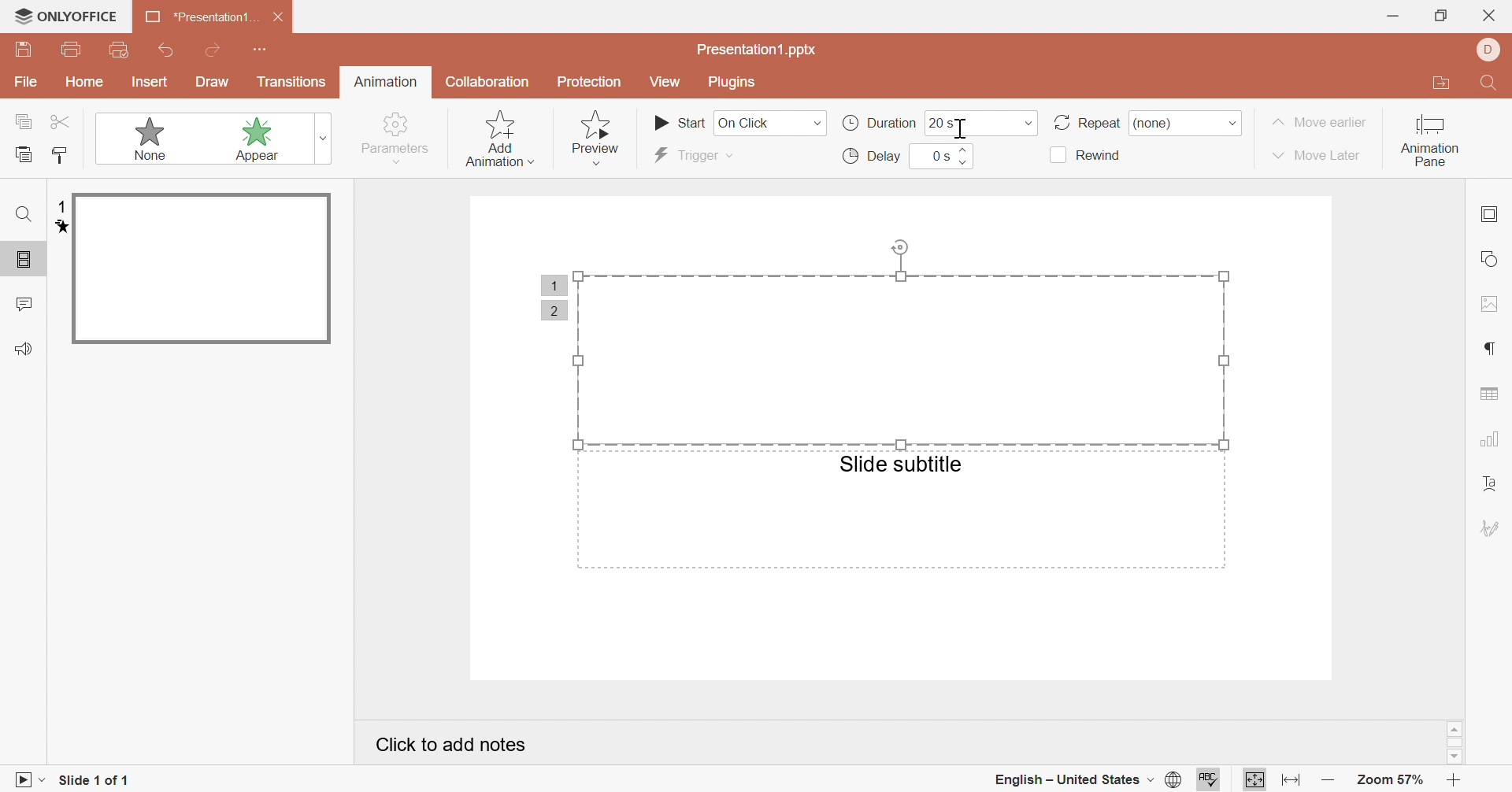 Image resolution: width=1512 pixels, height=792 pixels. What do you see at coordinates (86, 81) in the screenshot?
I see `home` at bounding box center [86, 81].